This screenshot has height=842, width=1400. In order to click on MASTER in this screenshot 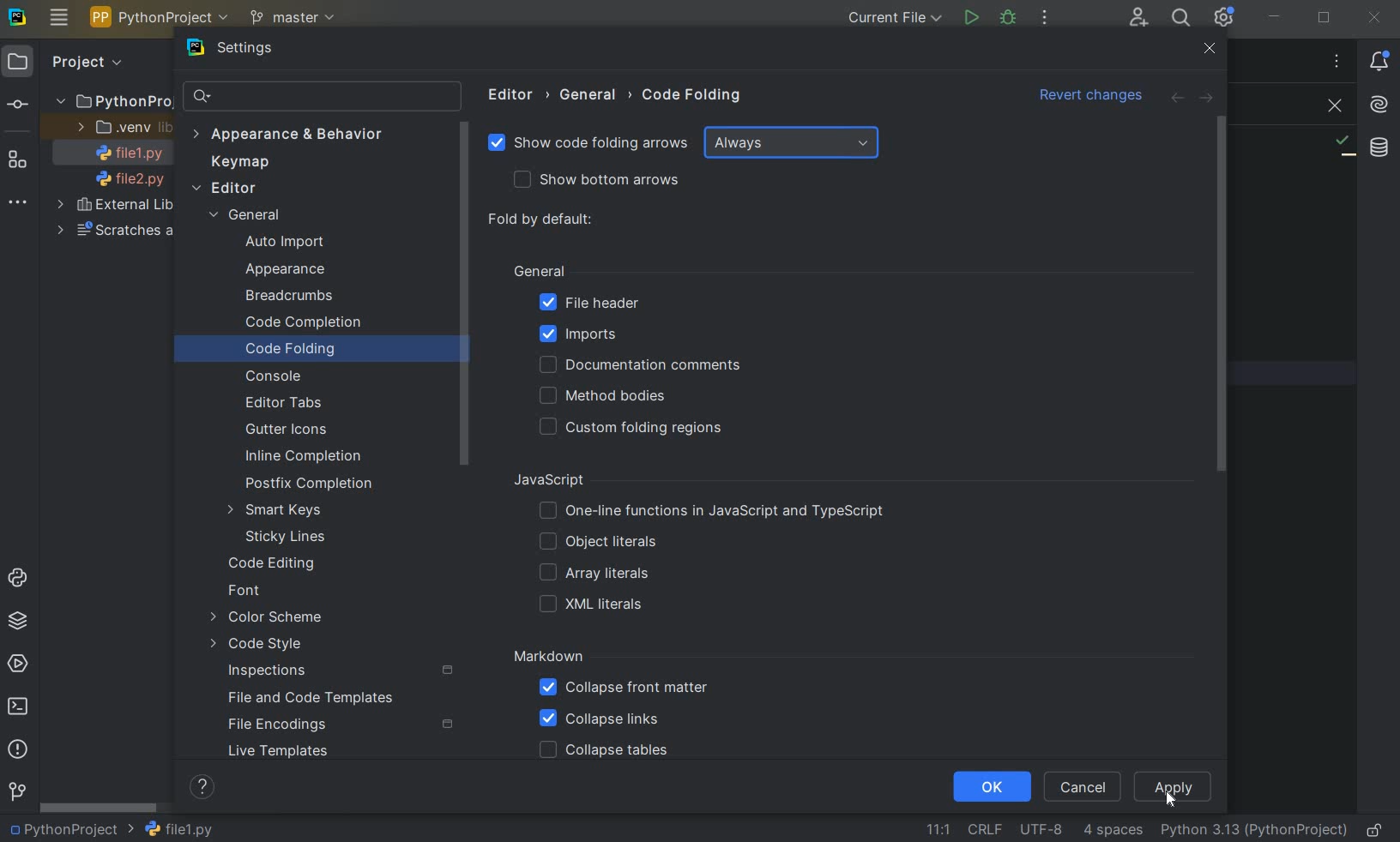, I will do `click(295, 19)`.